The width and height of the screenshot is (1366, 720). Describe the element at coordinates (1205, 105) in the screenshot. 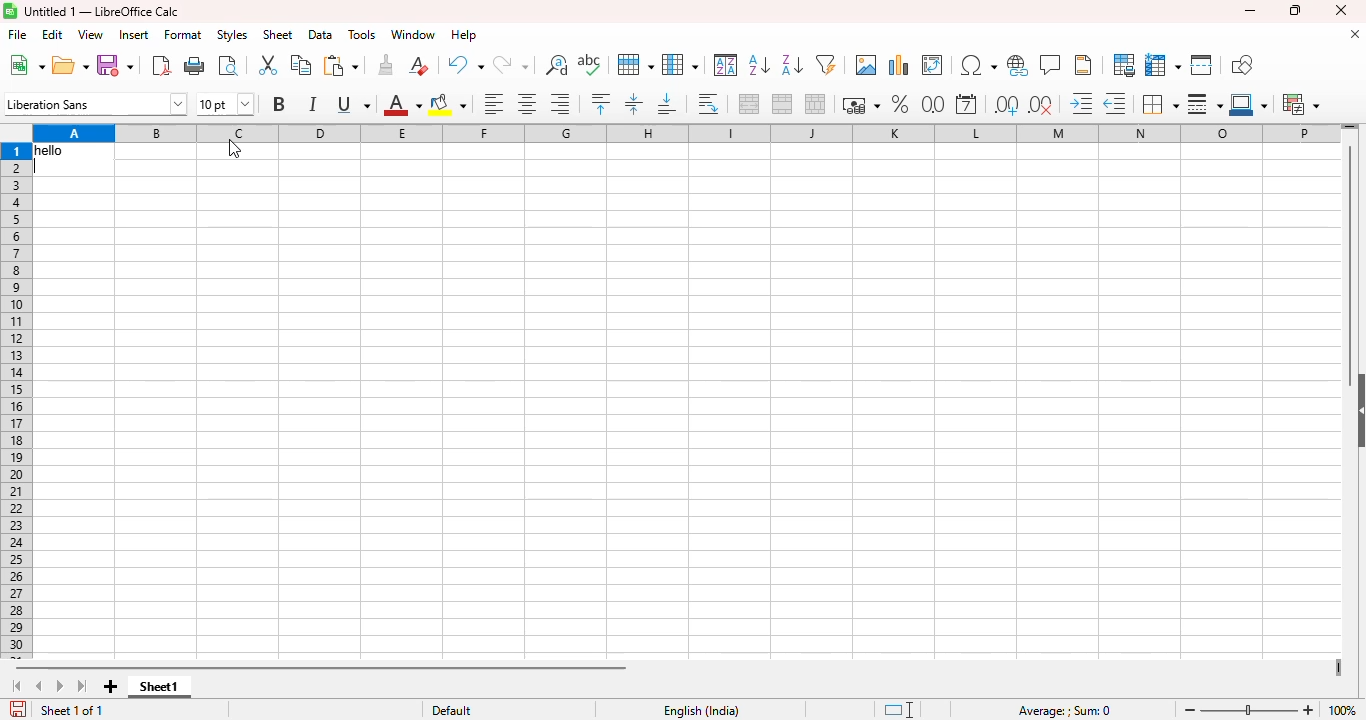

I see `border style` at that location.